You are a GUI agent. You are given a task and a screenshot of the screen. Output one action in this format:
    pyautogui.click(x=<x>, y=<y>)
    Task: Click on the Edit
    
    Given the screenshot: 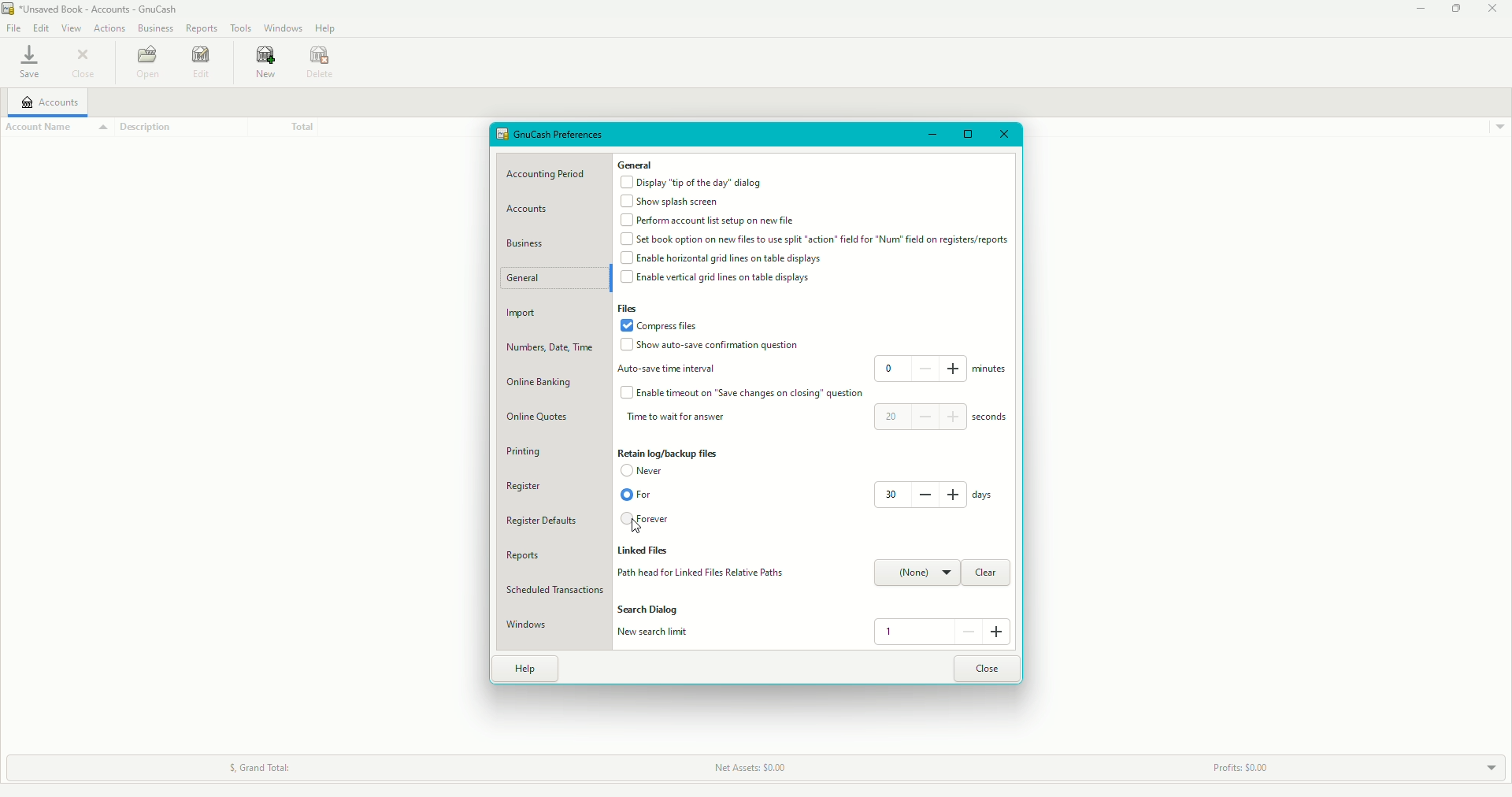 What is the action you would take?
    pyautogui.click(x=200, y=65)
    